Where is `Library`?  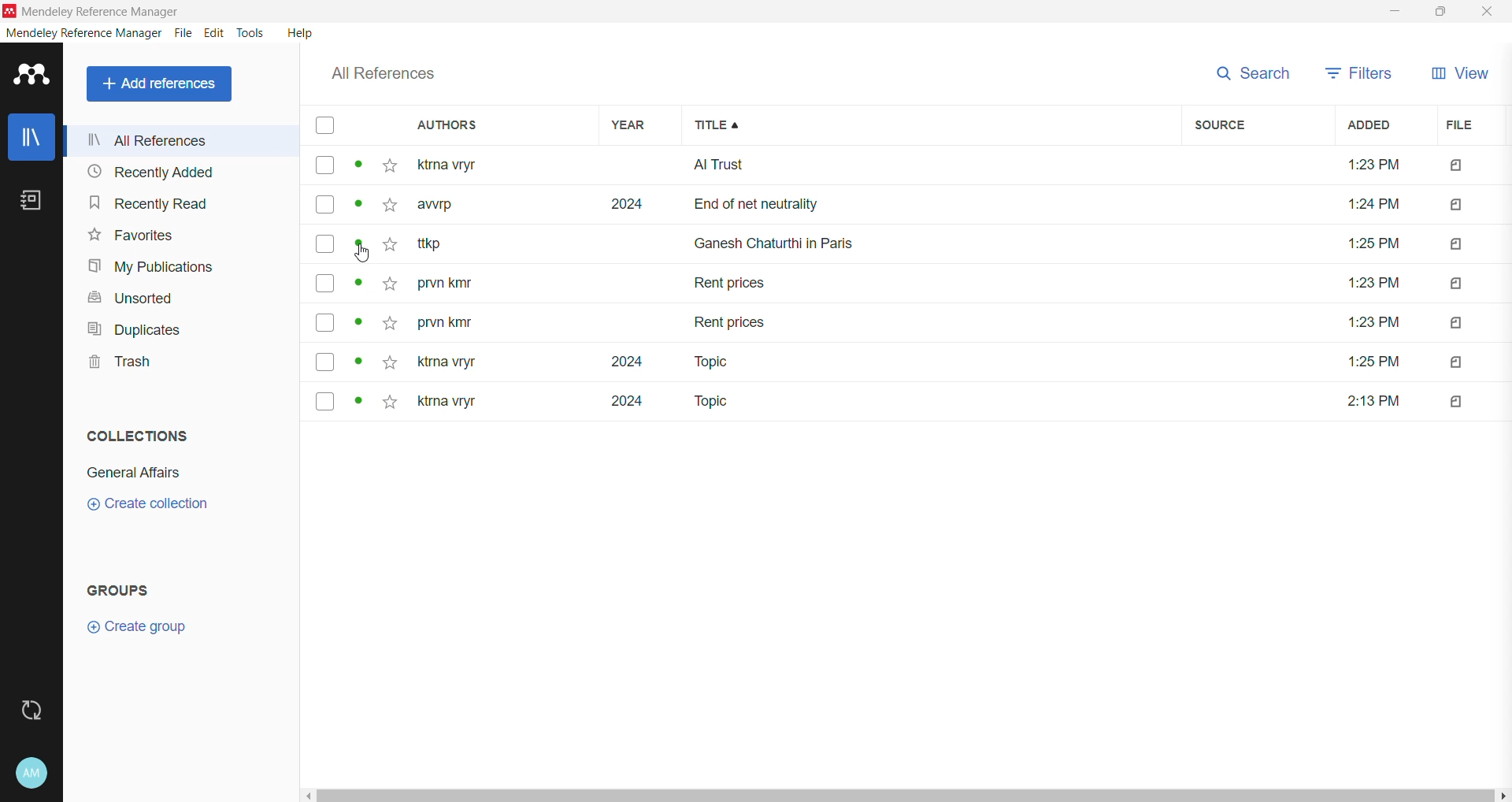
Library is located at coordinates (31, 136).